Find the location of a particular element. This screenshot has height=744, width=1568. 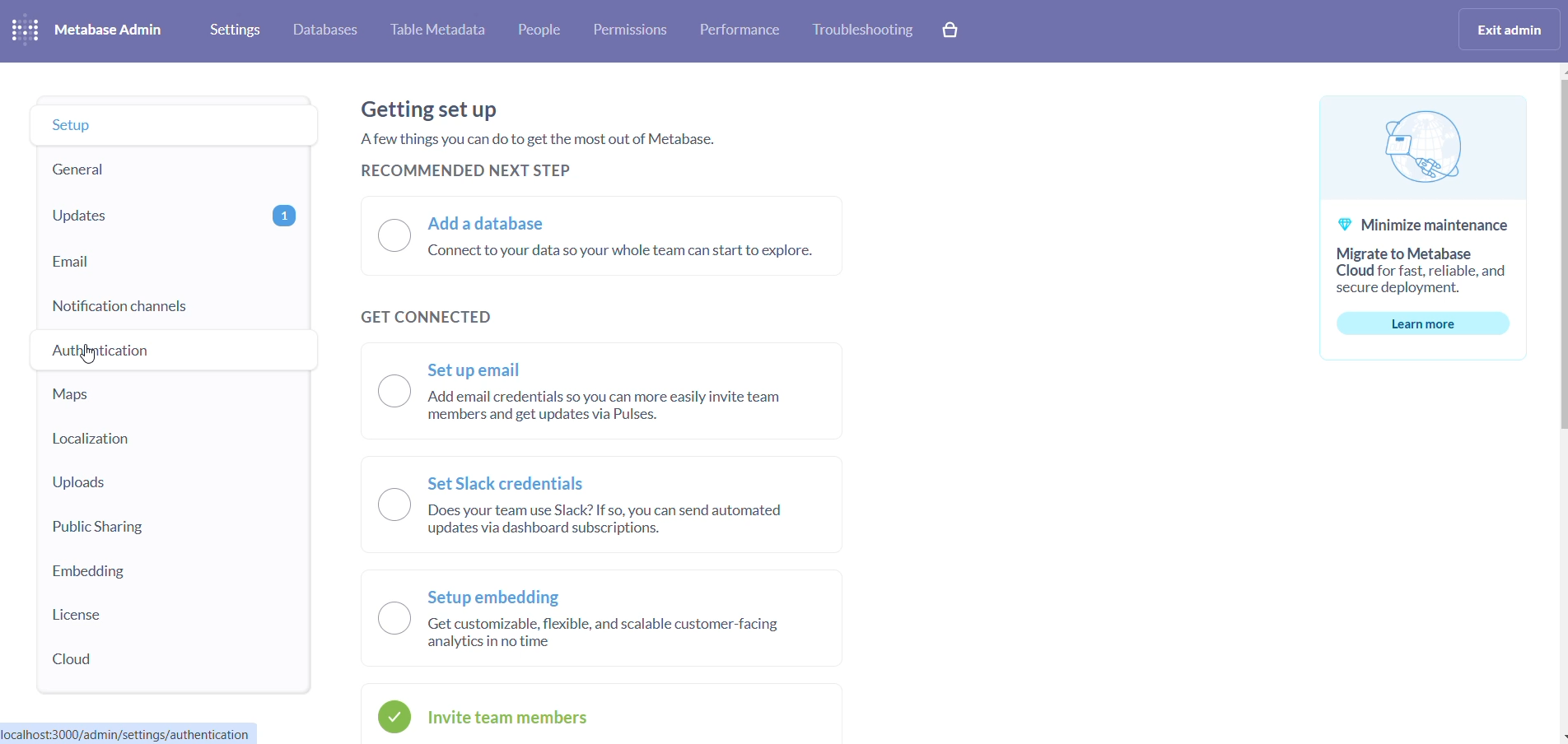

cart is located at coordinates (950, 29).